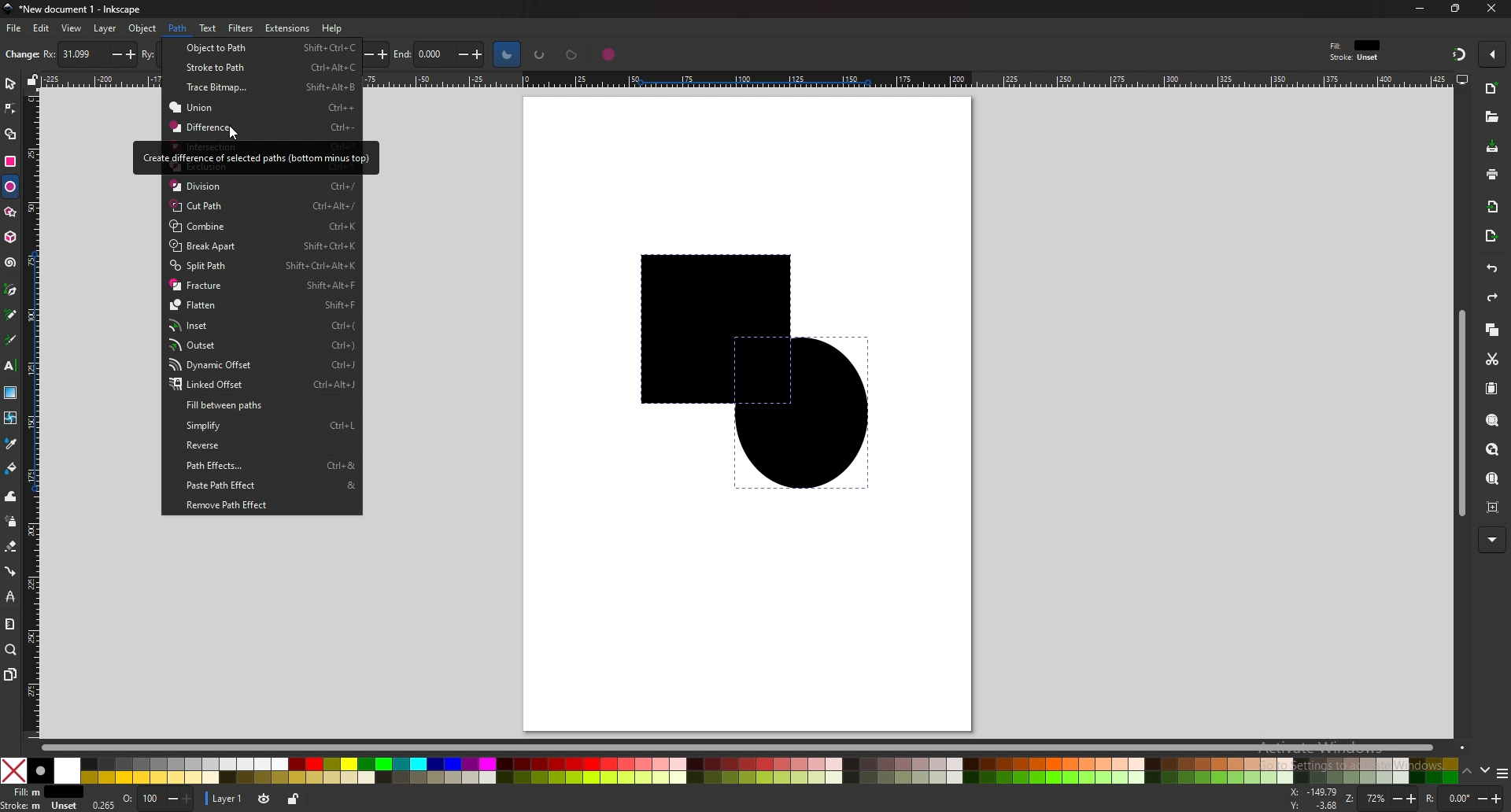  What do you see at coordinates (227, 405) in the screenshot?
I see `Fill between paths` at bounding box center [227, 405].